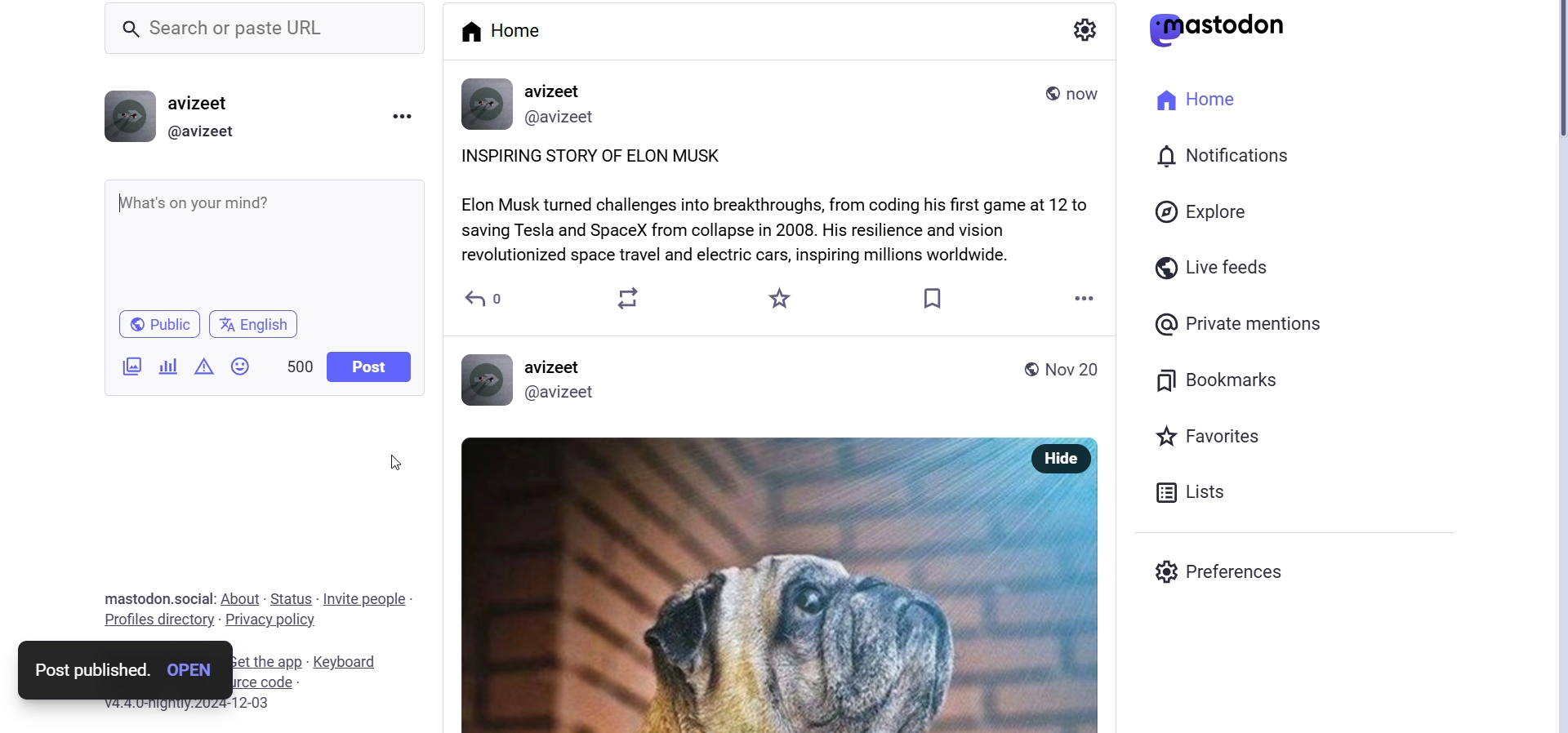 The height and width of the screenshot is (733, 1568). What do you see at coordinates (399, 464) in the screenshot?
I see `cursor` at bounding box center [399, 464].